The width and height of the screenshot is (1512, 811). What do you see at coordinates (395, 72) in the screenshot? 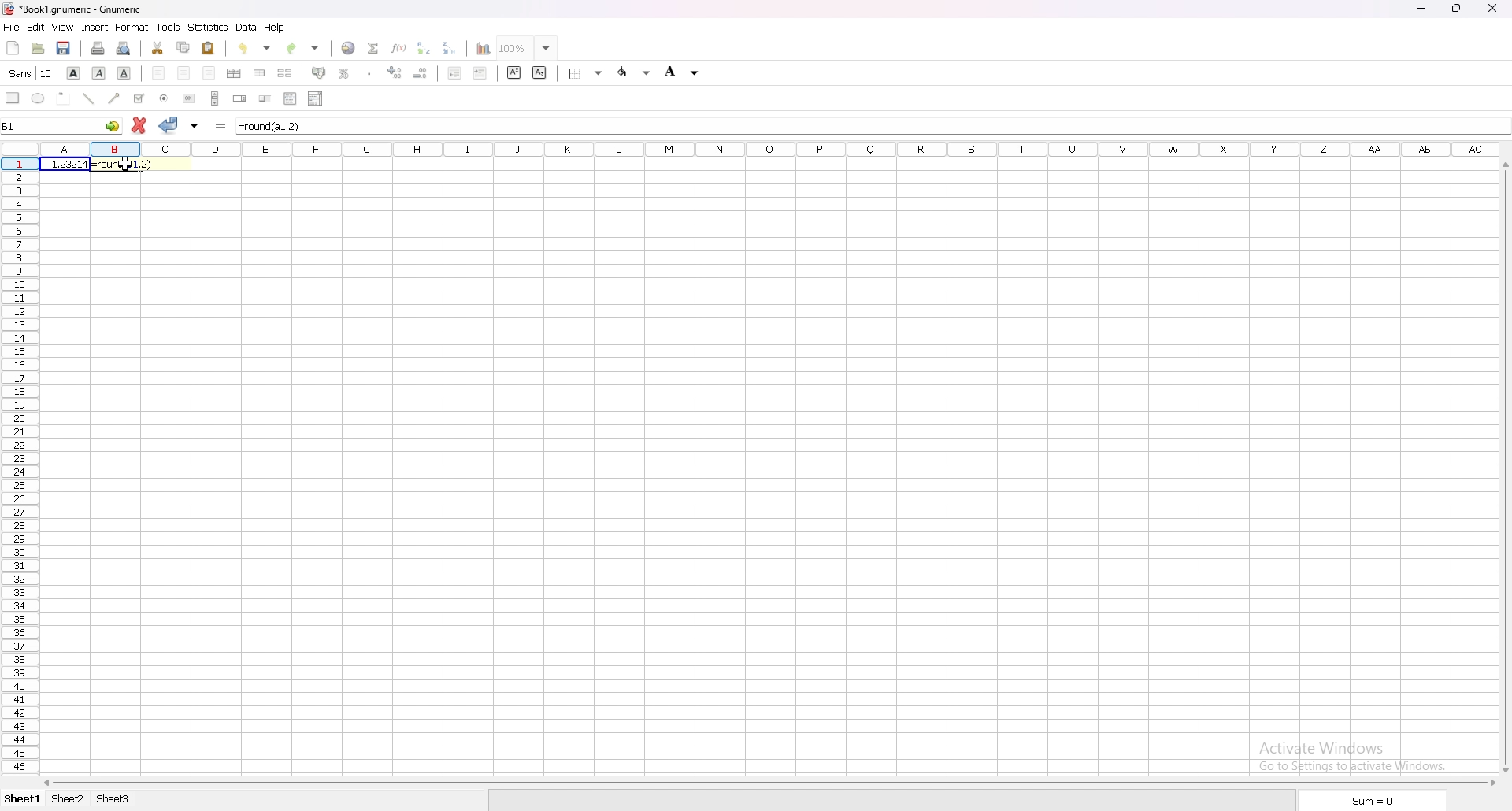
I see `increase decimals` at bounding box center [395, 72].